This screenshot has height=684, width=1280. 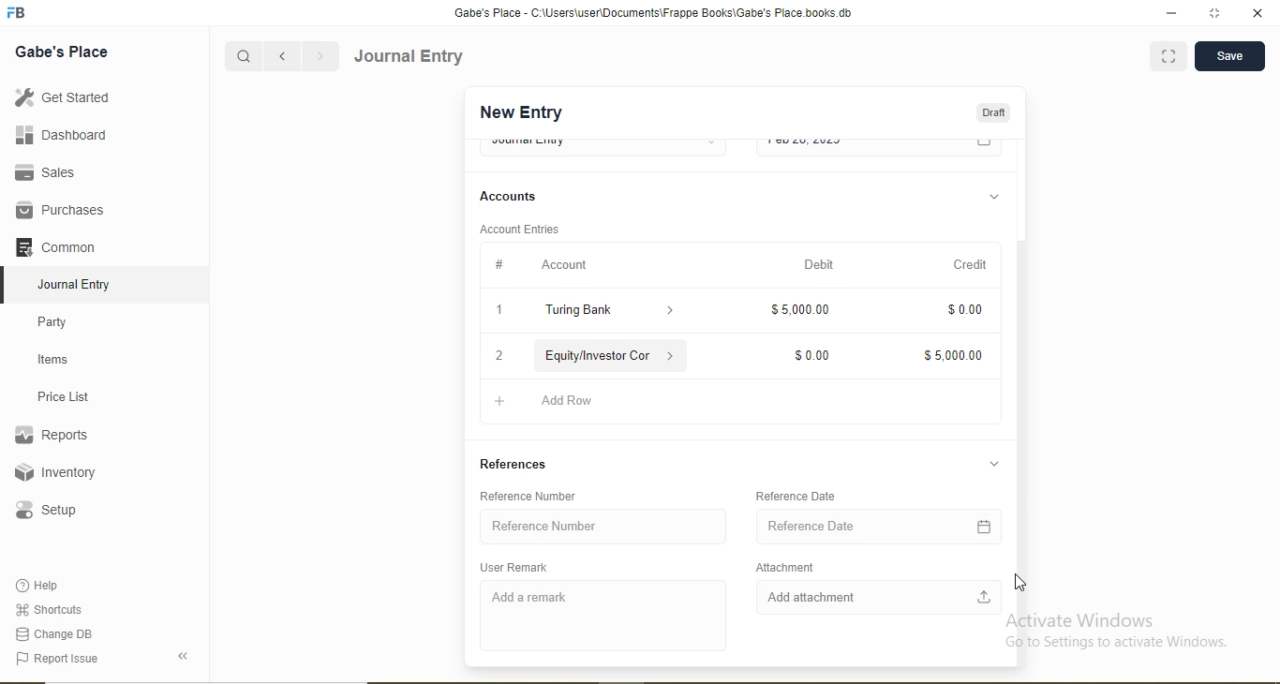 I want to click on Get Started, so click(x=61, y=96).